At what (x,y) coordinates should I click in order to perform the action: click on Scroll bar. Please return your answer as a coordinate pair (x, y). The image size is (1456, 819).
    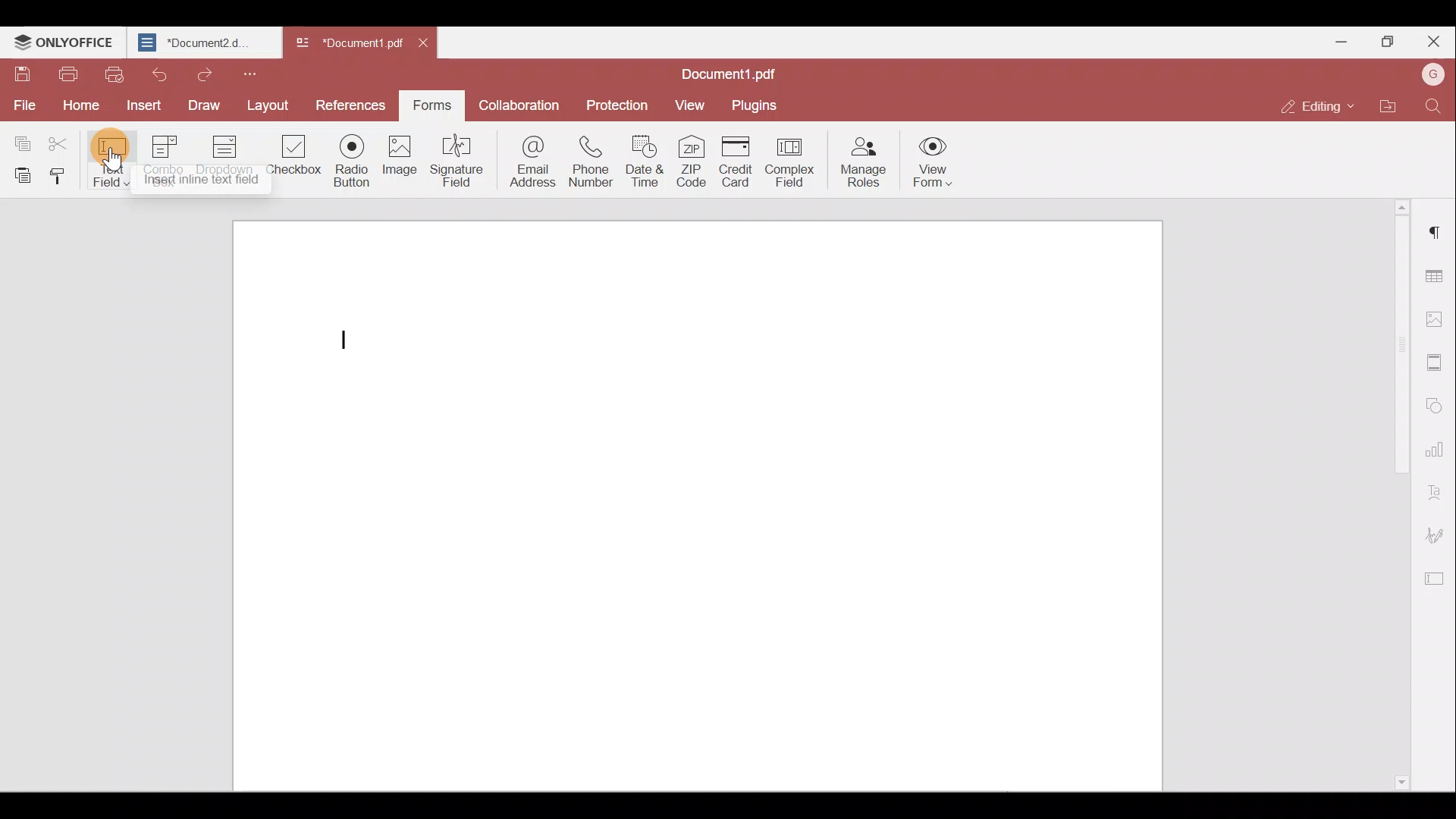
    Looking at the image, I should click on (1394, 495).